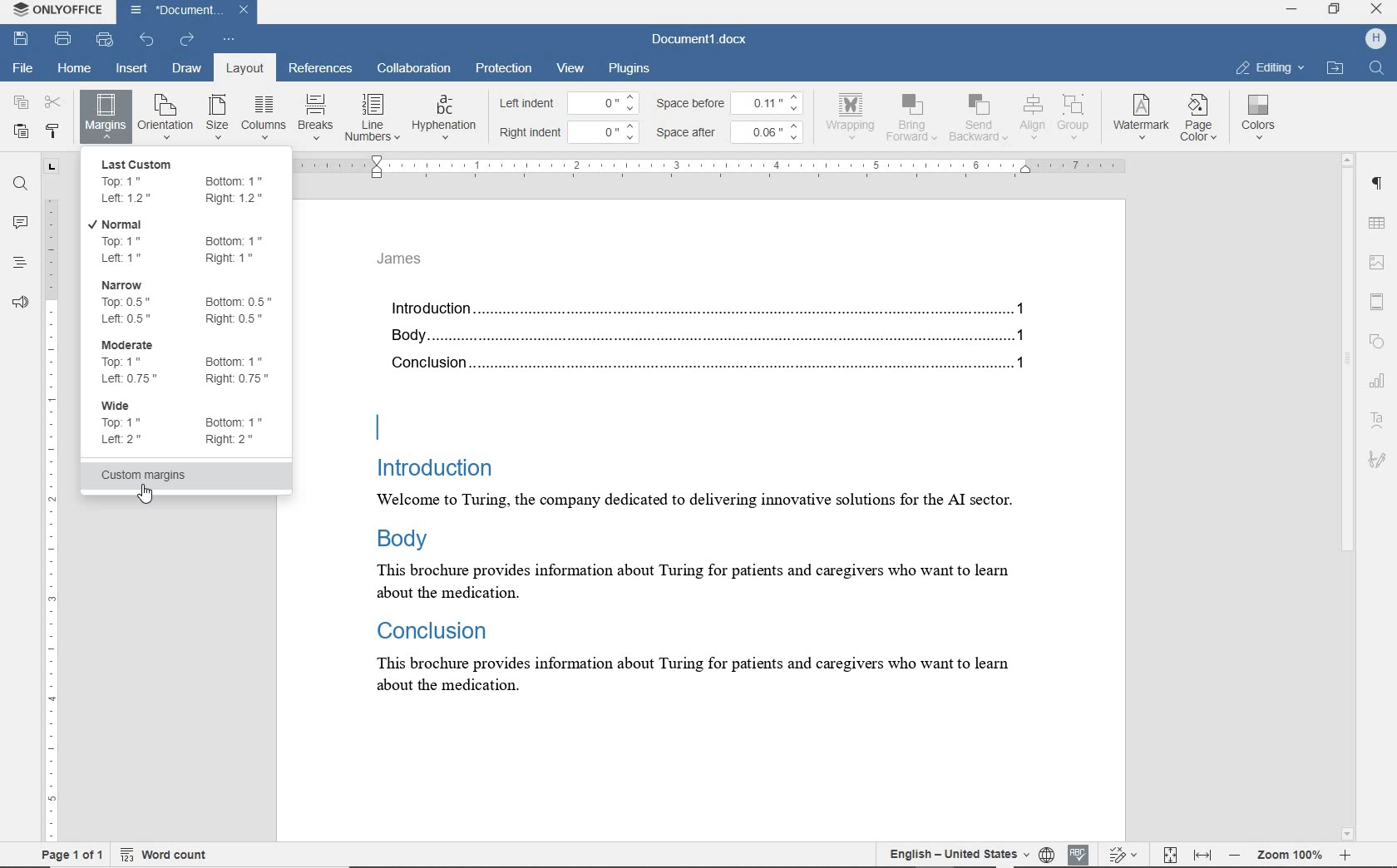  Describe the element at coordinates (714, 509) in the screenshot. I see `text` at that location.